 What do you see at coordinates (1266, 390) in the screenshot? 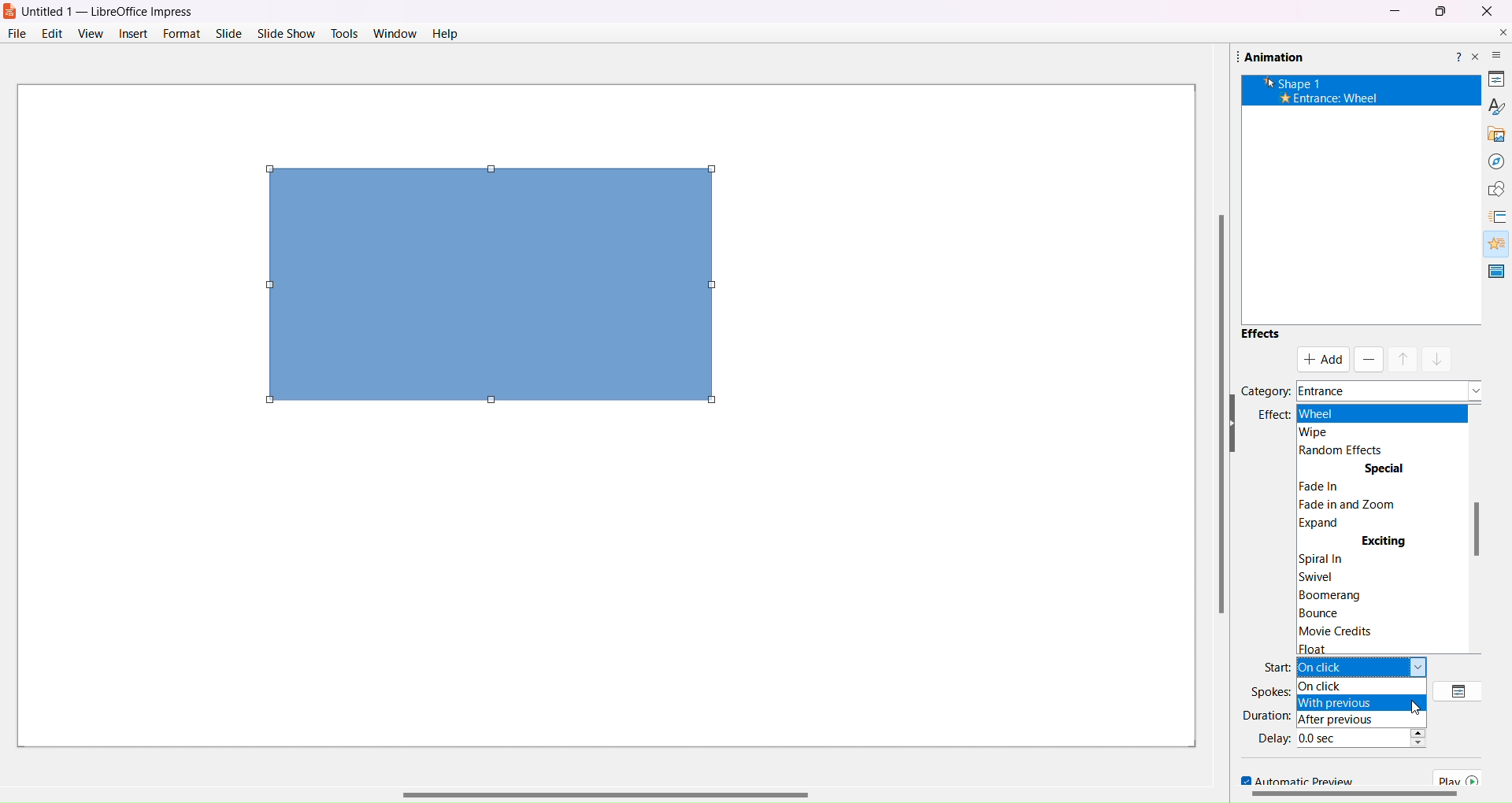
I see `Category` at bounding box center [1266, 390].